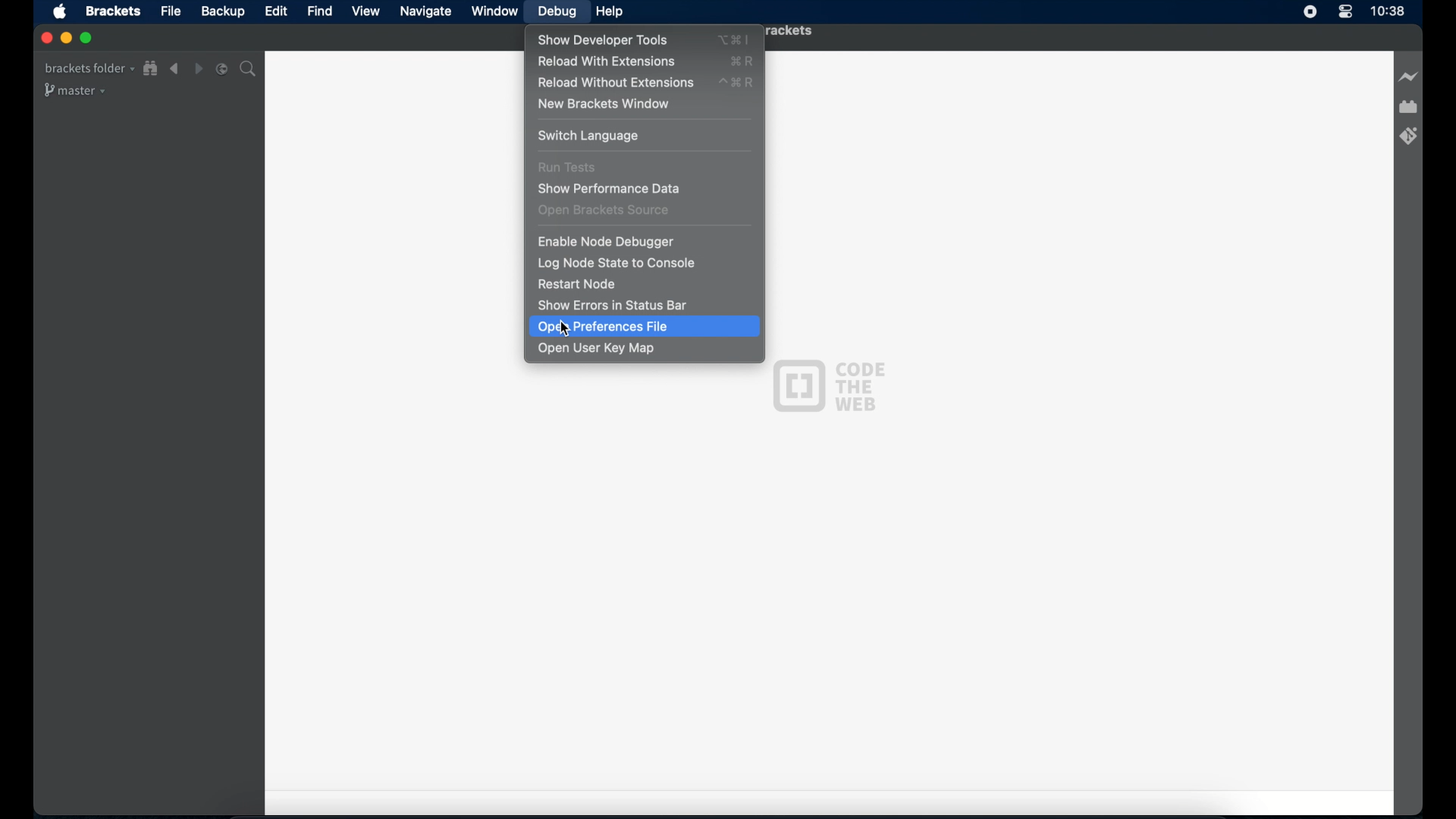 The image size is (1456, 819). Describe the element at coordinates (794, 30) in the screenshot. I see `brackets folder - brackets` at that location.